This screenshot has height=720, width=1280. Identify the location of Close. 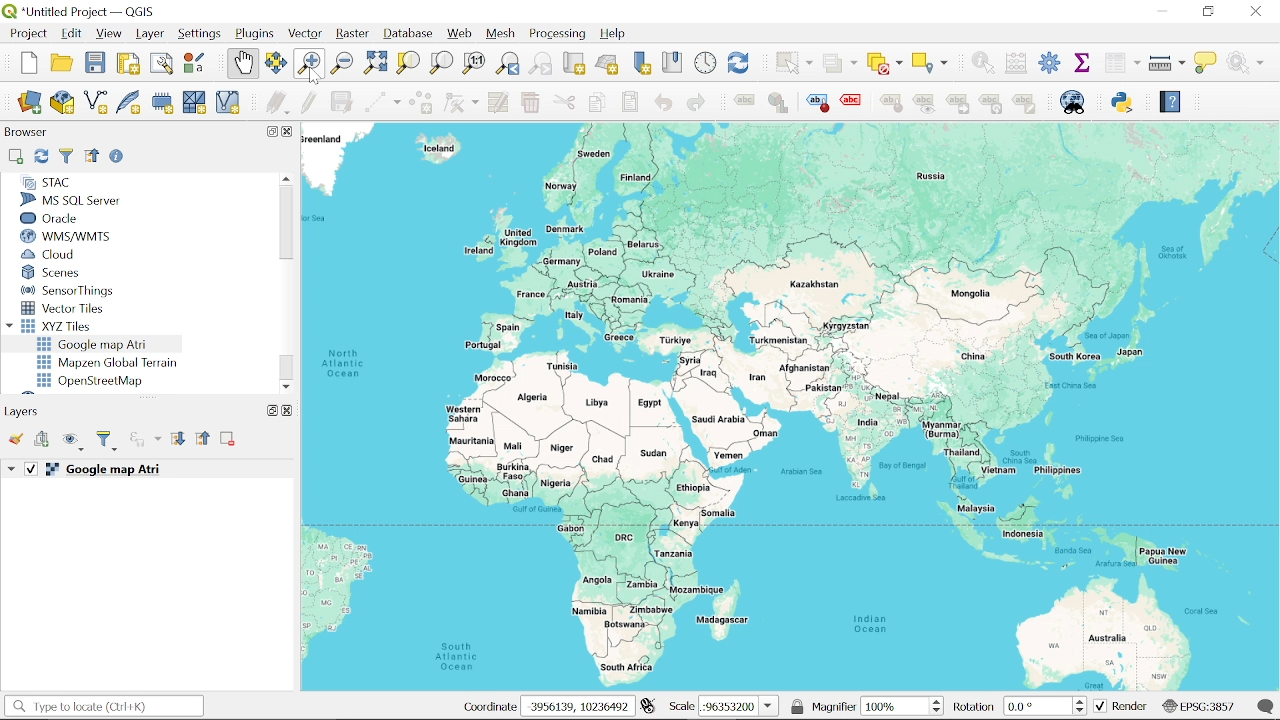
(1257, 12).